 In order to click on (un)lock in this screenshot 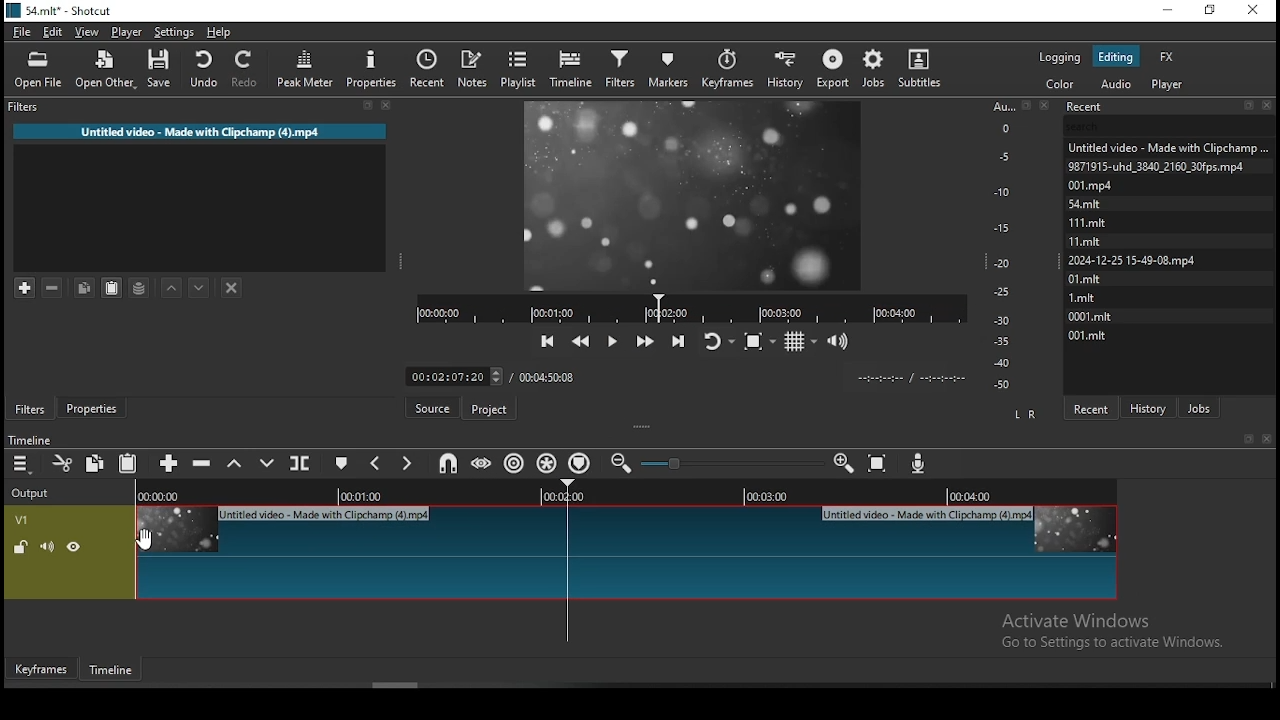, I will do `click(21, 548)`.